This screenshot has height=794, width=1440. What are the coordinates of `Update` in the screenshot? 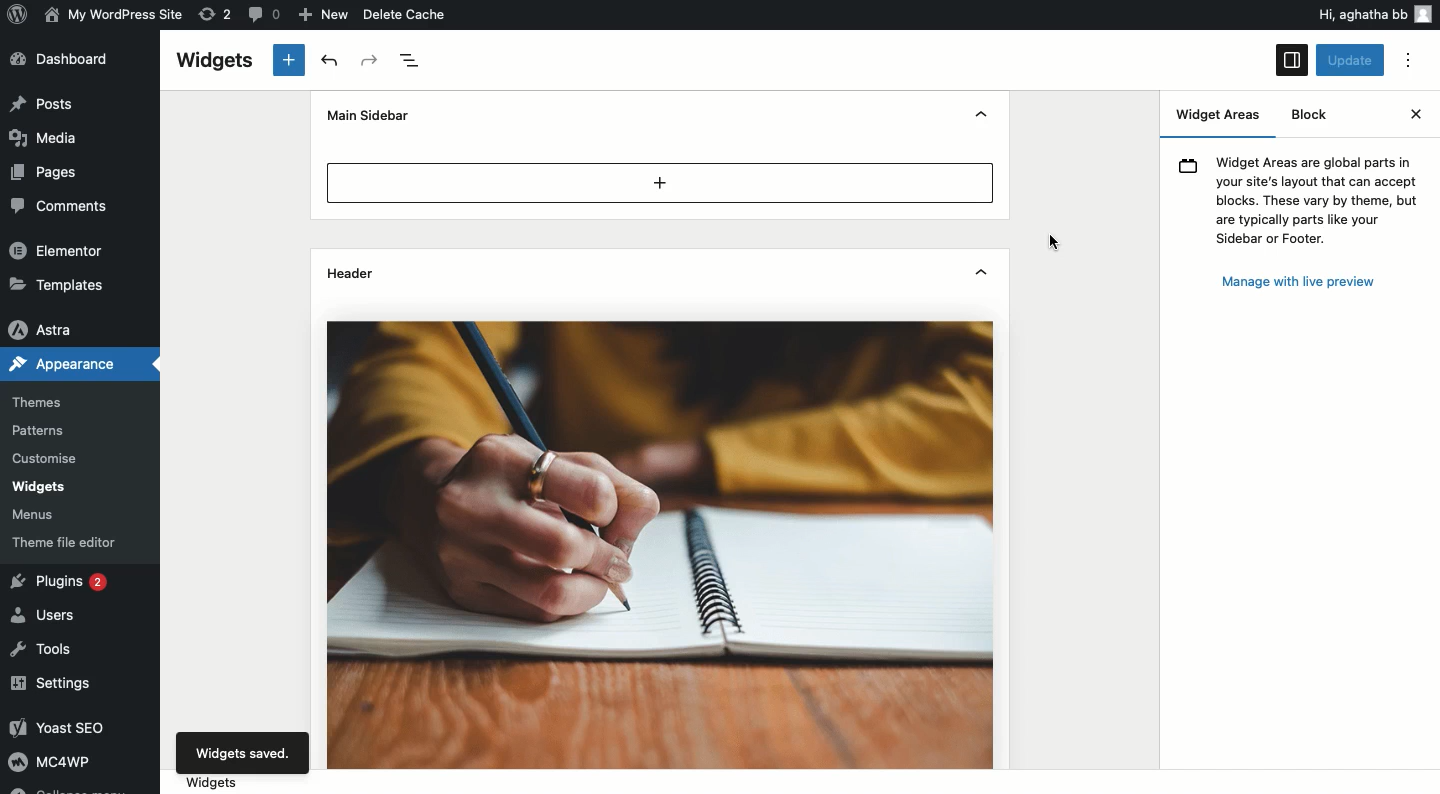 It's located at (1352, 60).